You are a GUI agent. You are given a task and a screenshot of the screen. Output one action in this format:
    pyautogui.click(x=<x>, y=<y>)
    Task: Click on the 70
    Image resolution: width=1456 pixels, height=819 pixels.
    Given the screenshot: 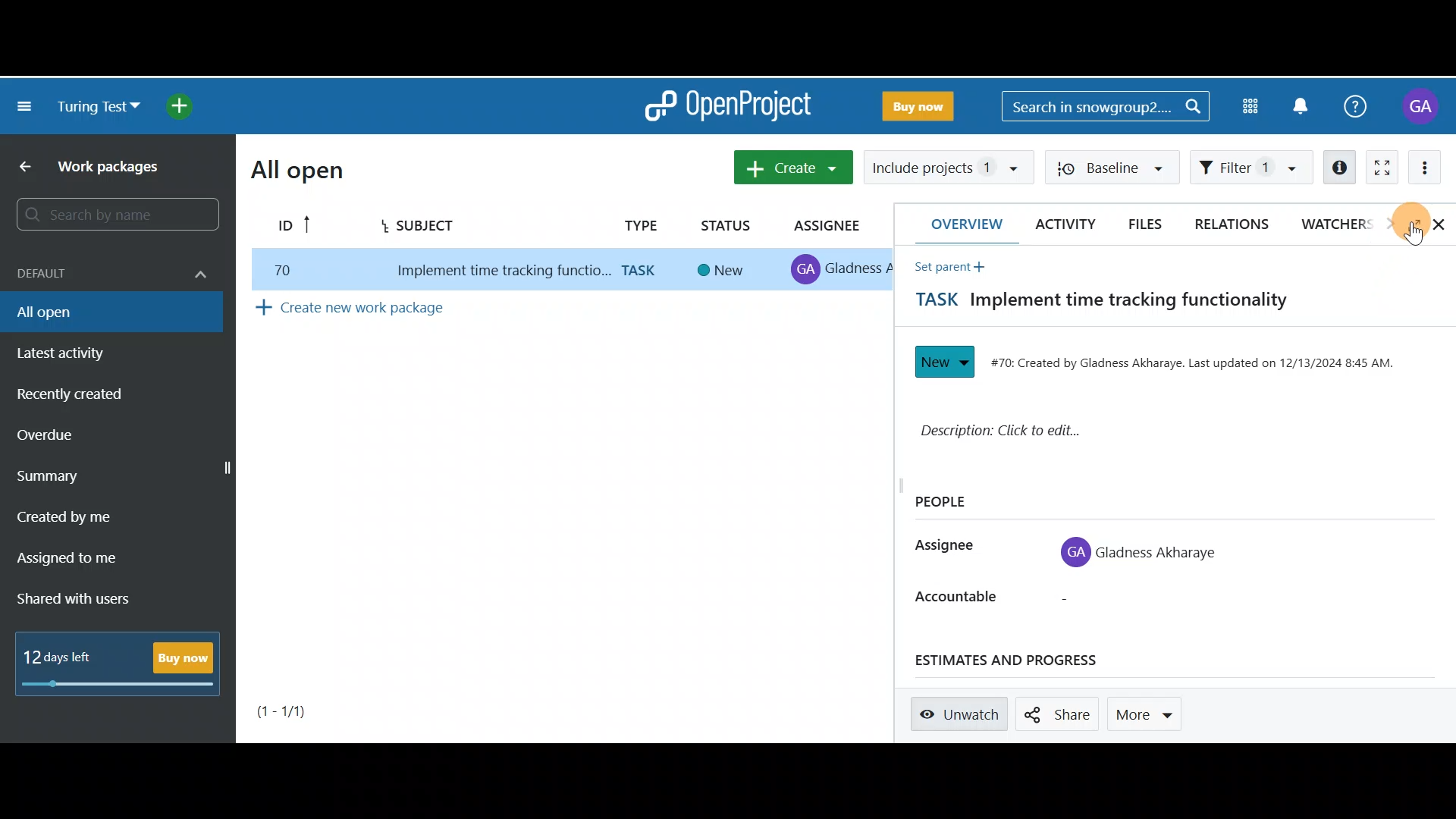 What is the action you would take?
    pyautogui.click(x=287, y=268)
    